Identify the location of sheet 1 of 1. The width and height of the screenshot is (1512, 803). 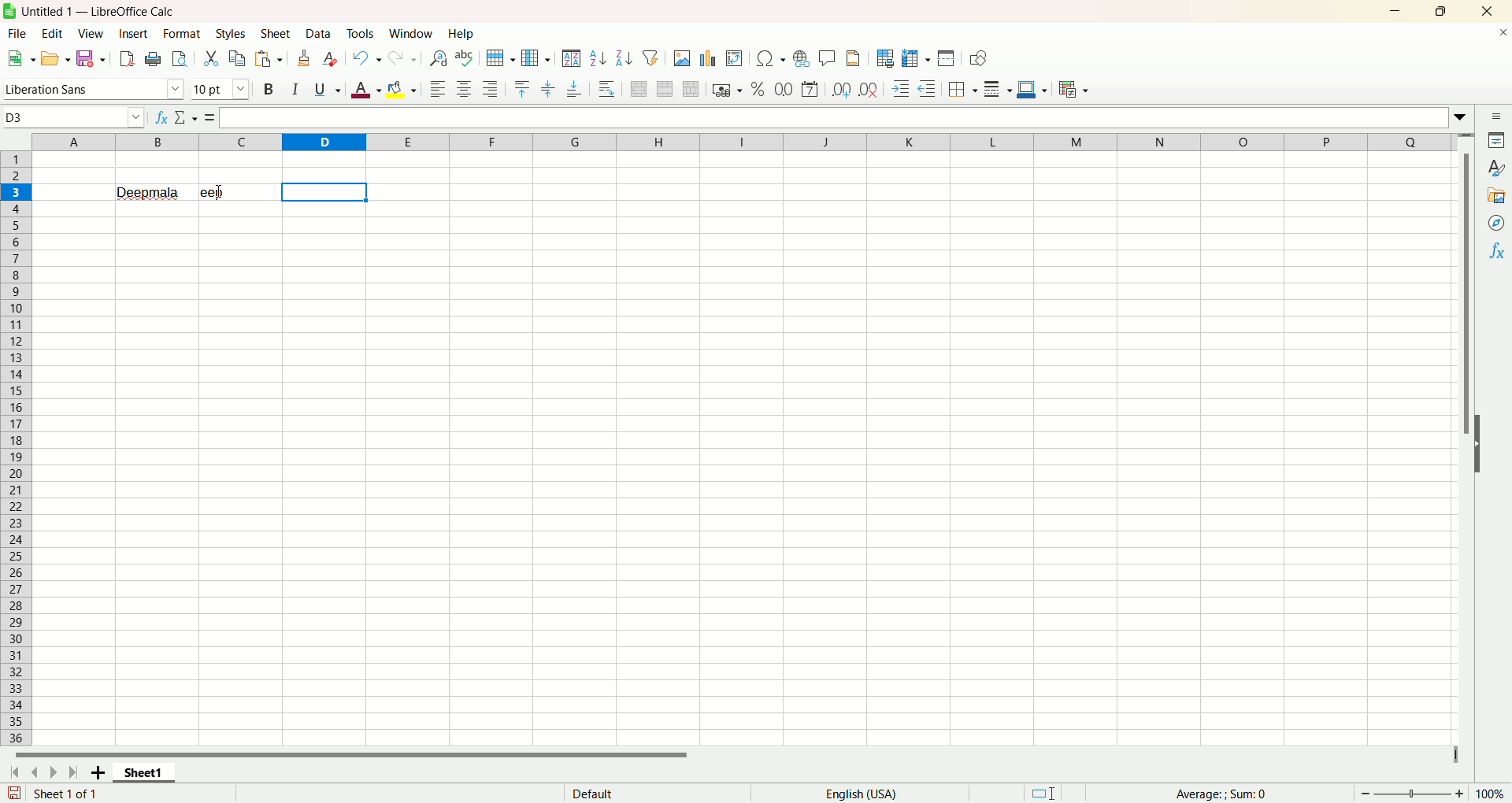
(65, 794).